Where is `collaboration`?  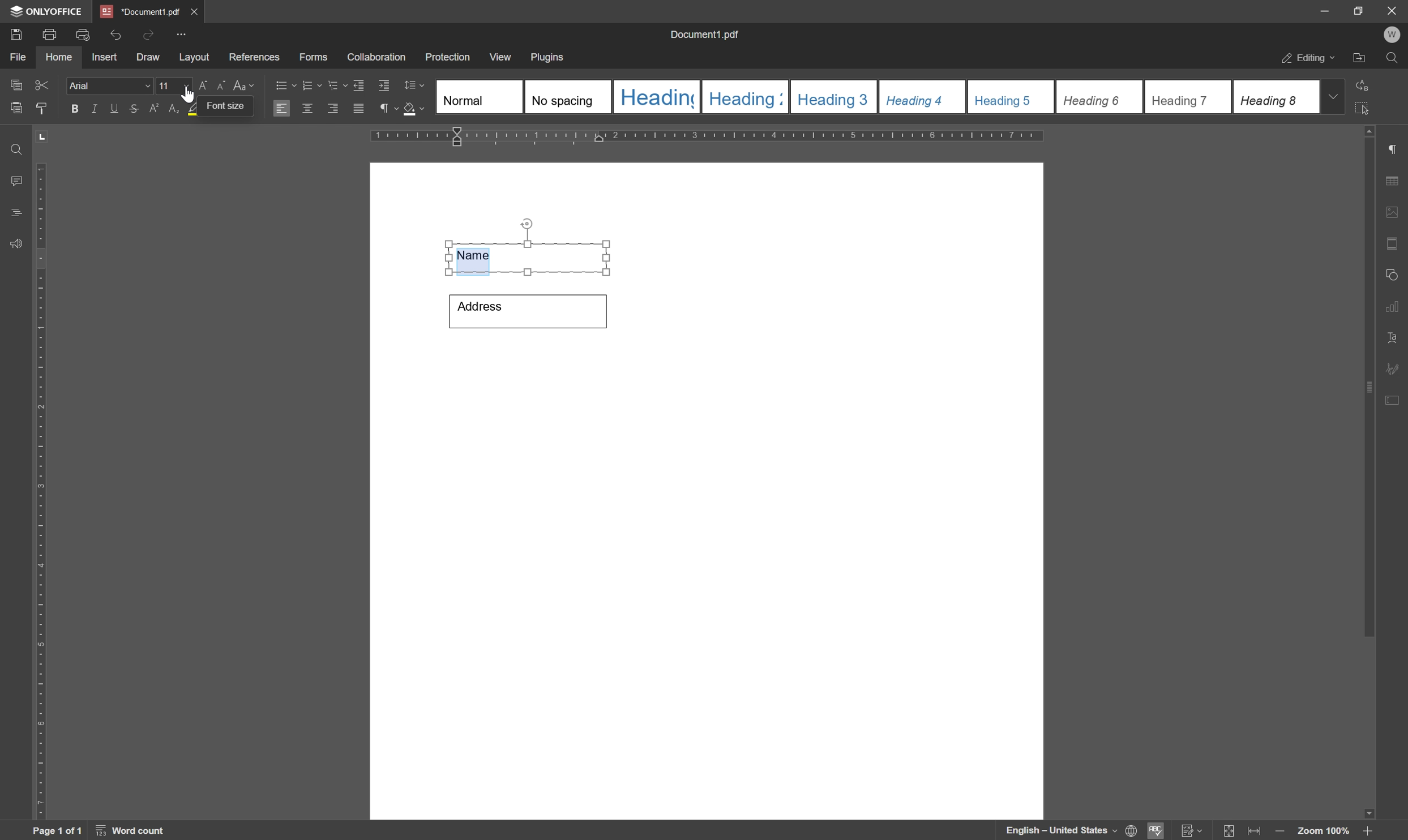
collaboration is located at coordinates (378, 58).